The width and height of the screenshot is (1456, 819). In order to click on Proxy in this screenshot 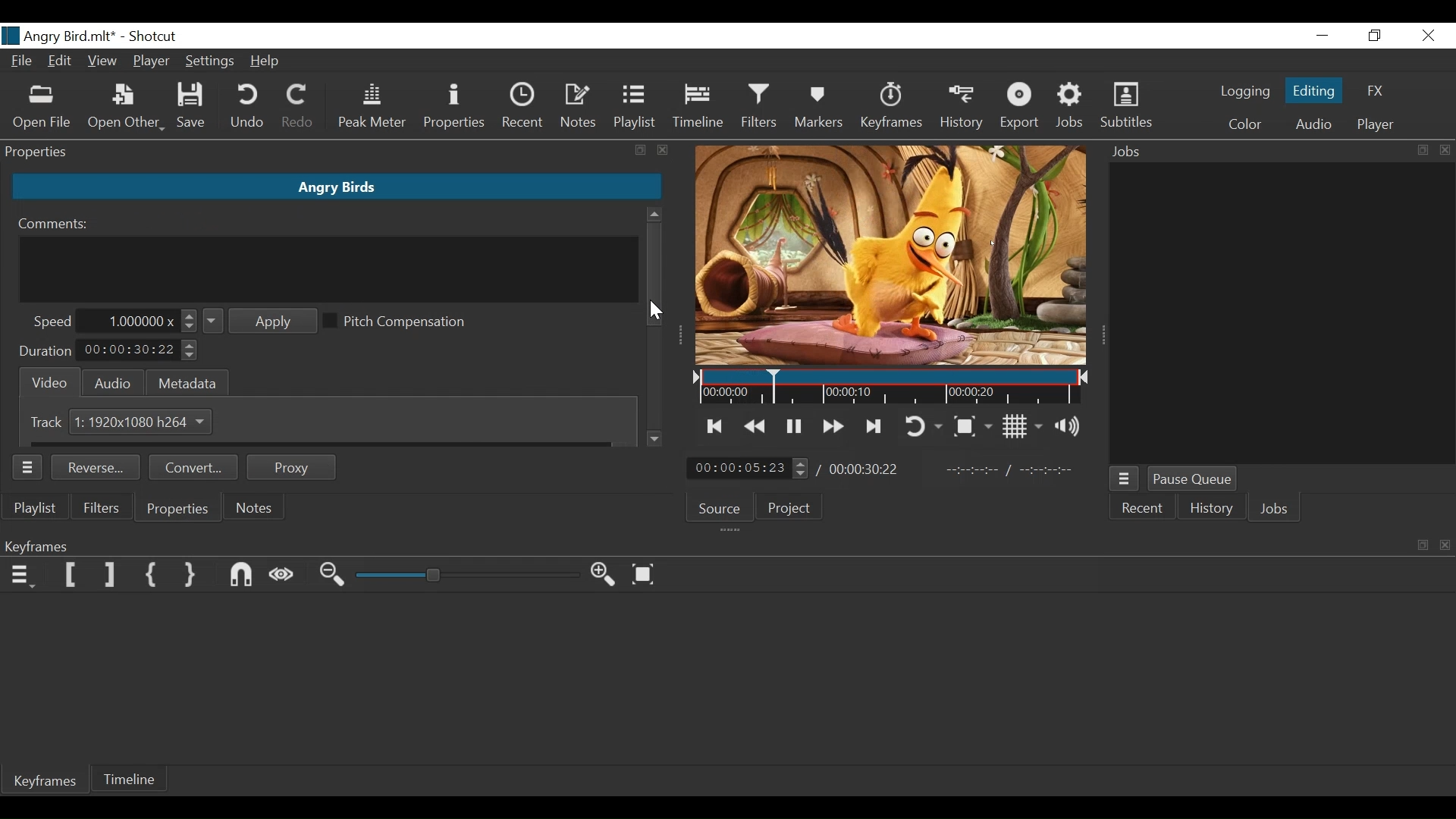, I will do `click(293, 467)`.